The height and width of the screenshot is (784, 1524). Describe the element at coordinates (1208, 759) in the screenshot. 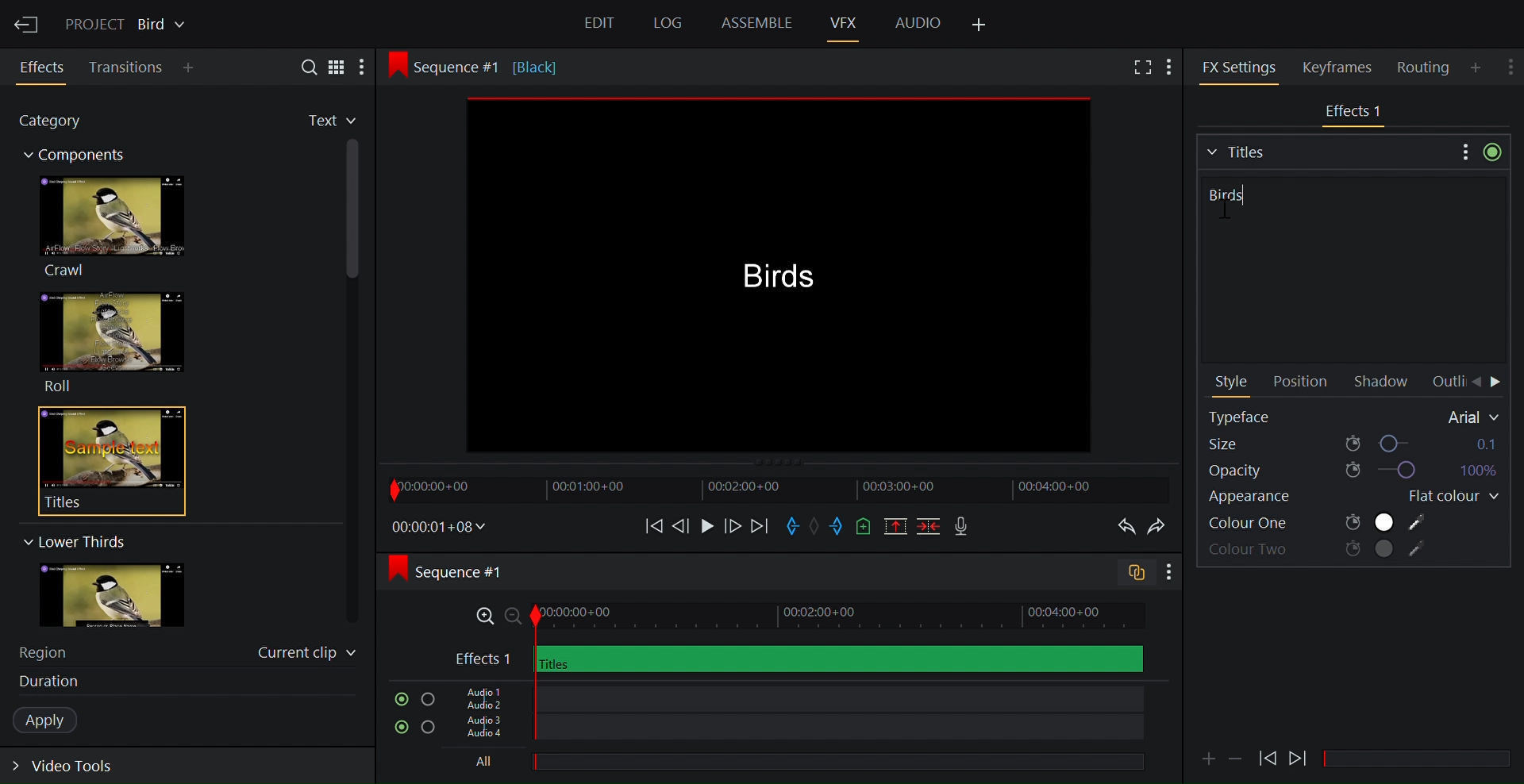

I see `Attachment` at that location.